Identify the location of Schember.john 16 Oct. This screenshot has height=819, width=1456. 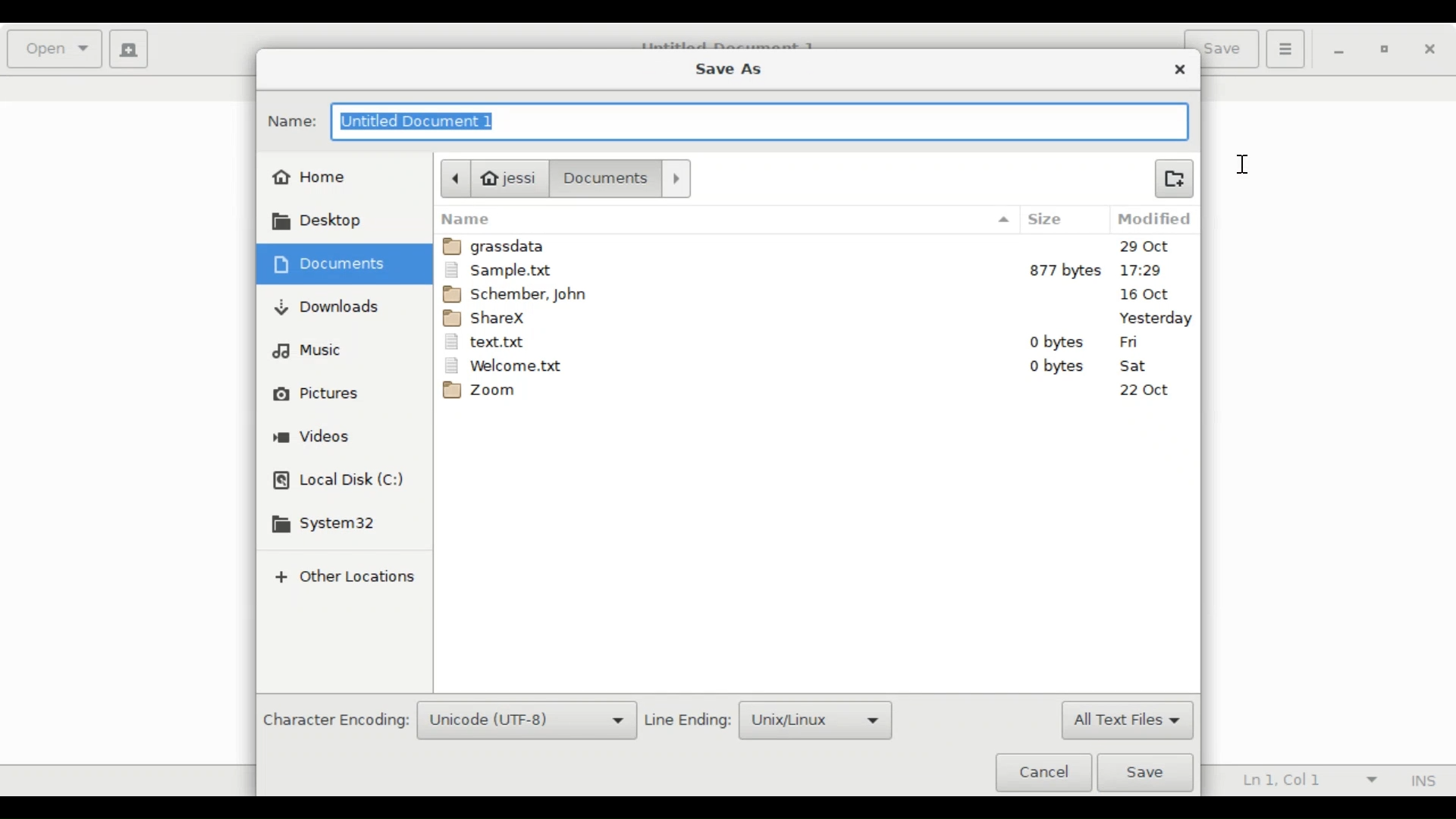
(818, 293).